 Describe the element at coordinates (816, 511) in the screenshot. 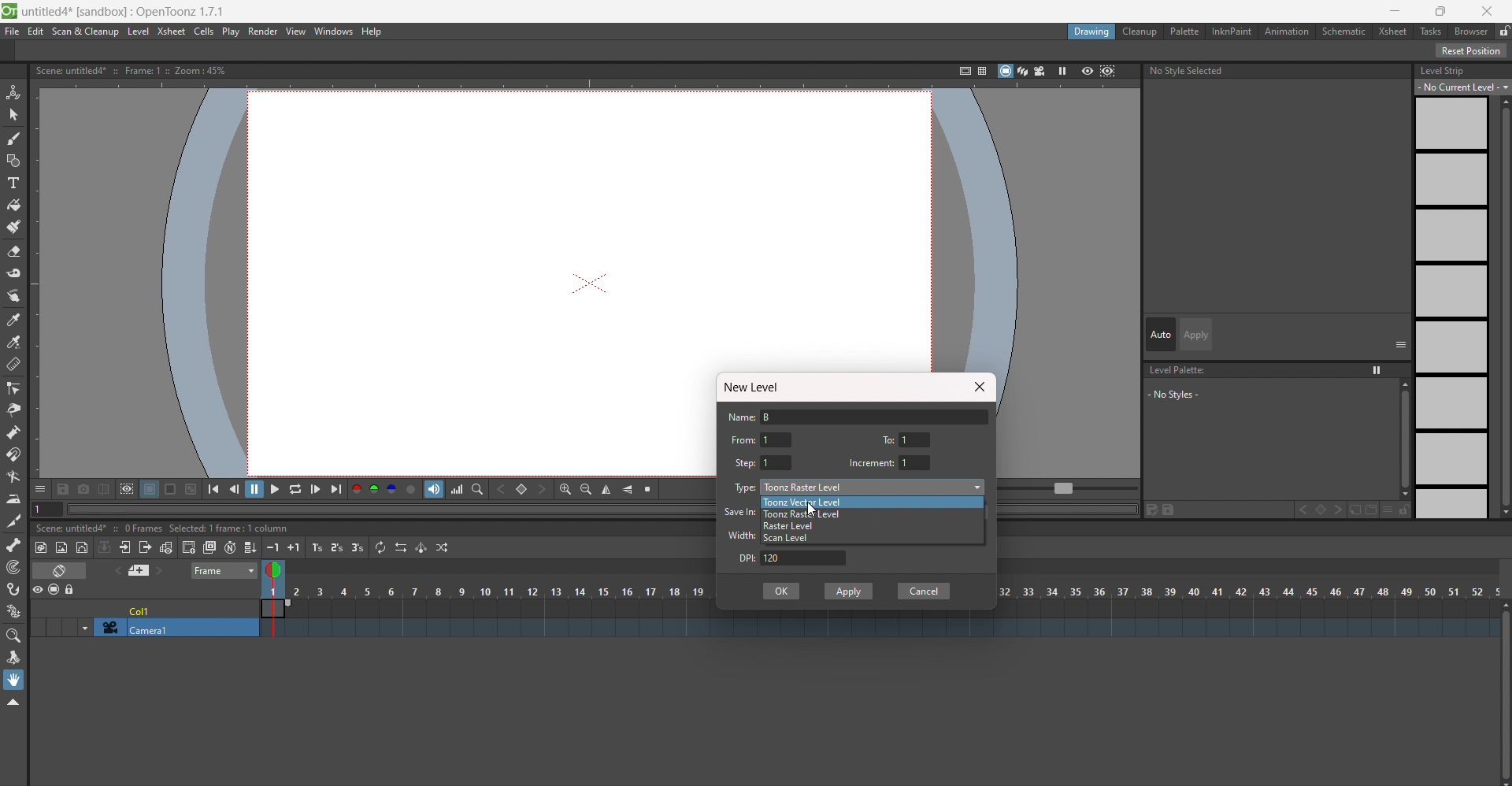

I see `cursor` at that location.